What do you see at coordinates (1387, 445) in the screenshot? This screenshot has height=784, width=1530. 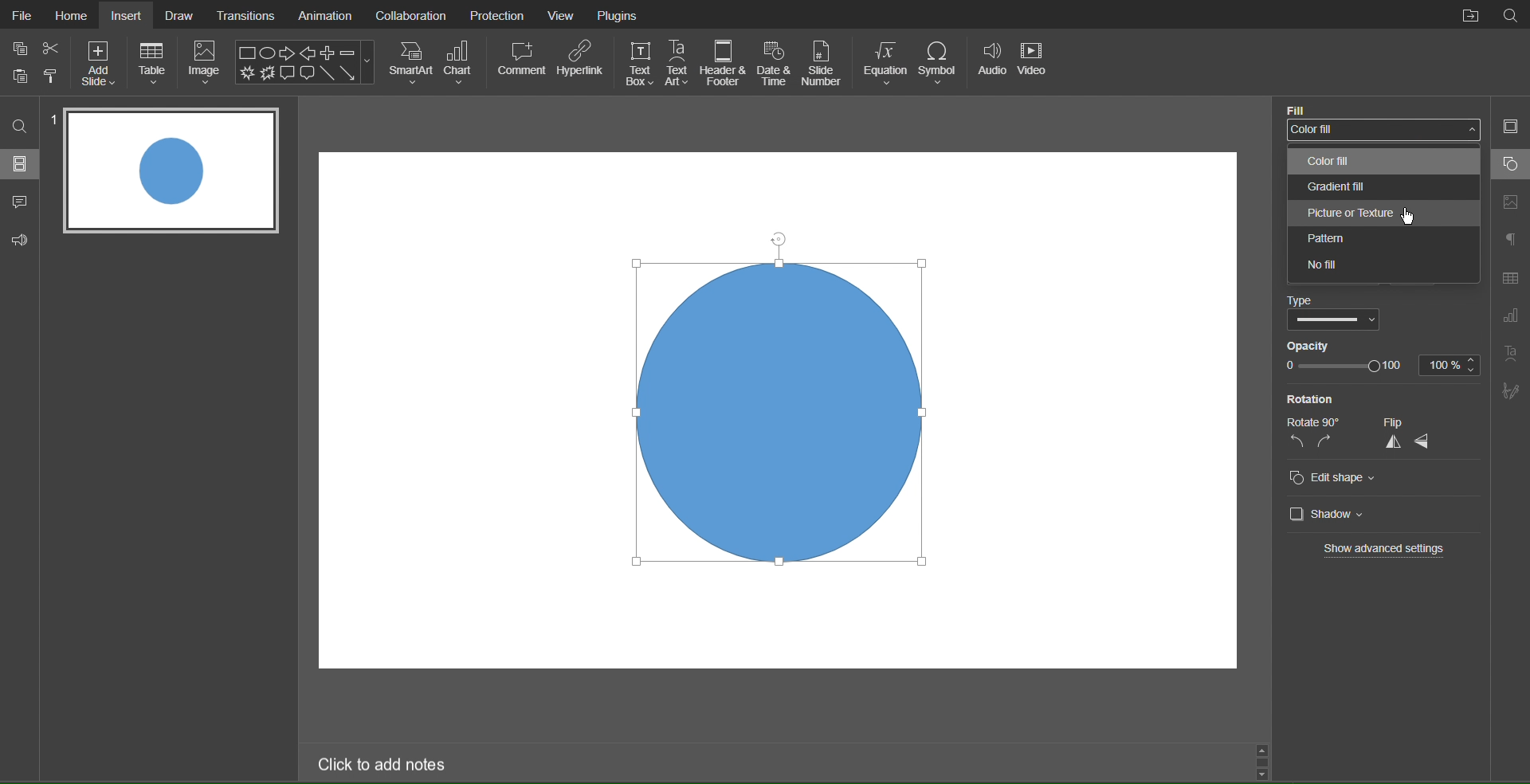 I see `flip up` at bounding box center [1387, 445].